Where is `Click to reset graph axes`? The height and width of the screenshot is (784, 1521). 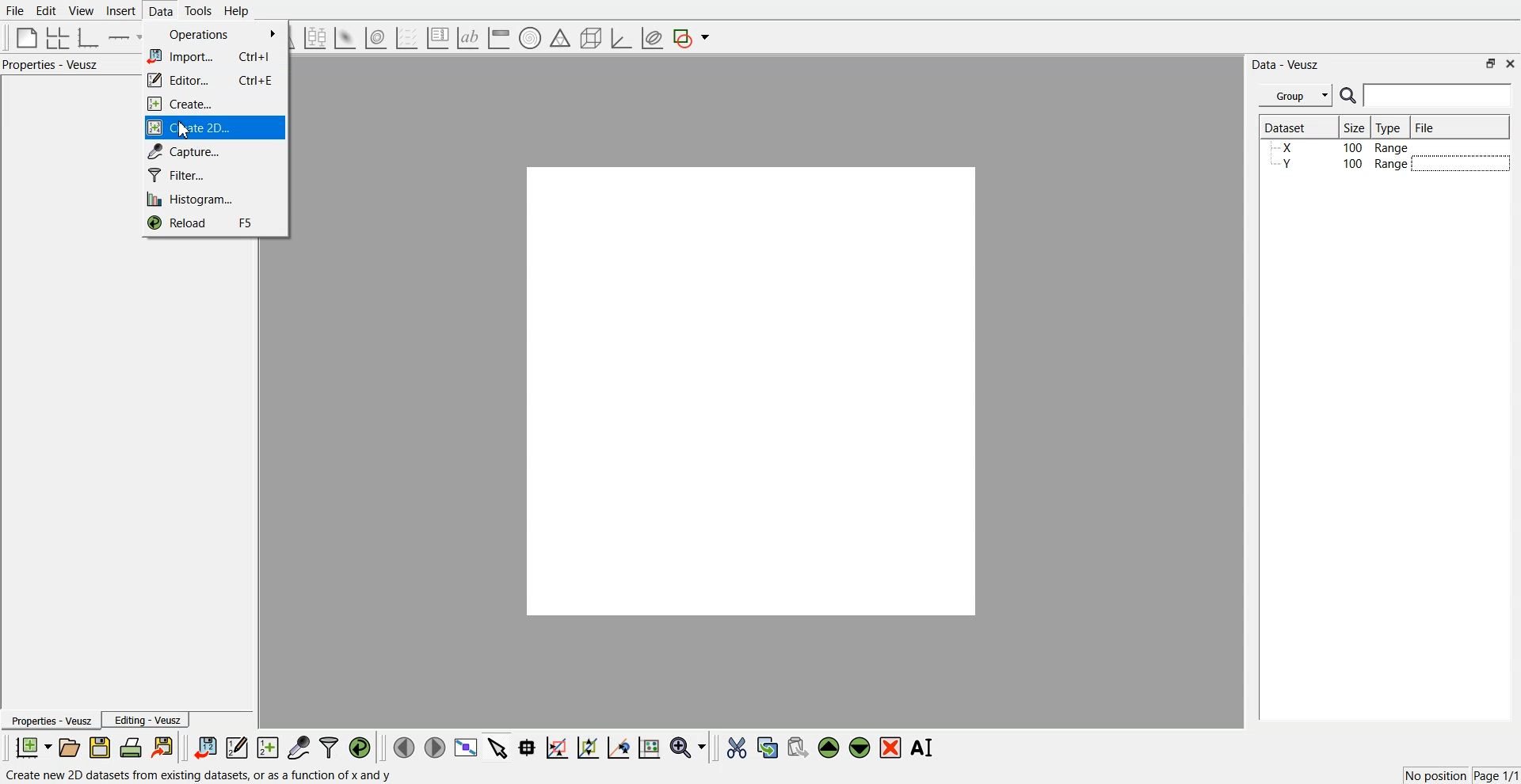
Click to reset graph axes is located at coordinates (649, 746).